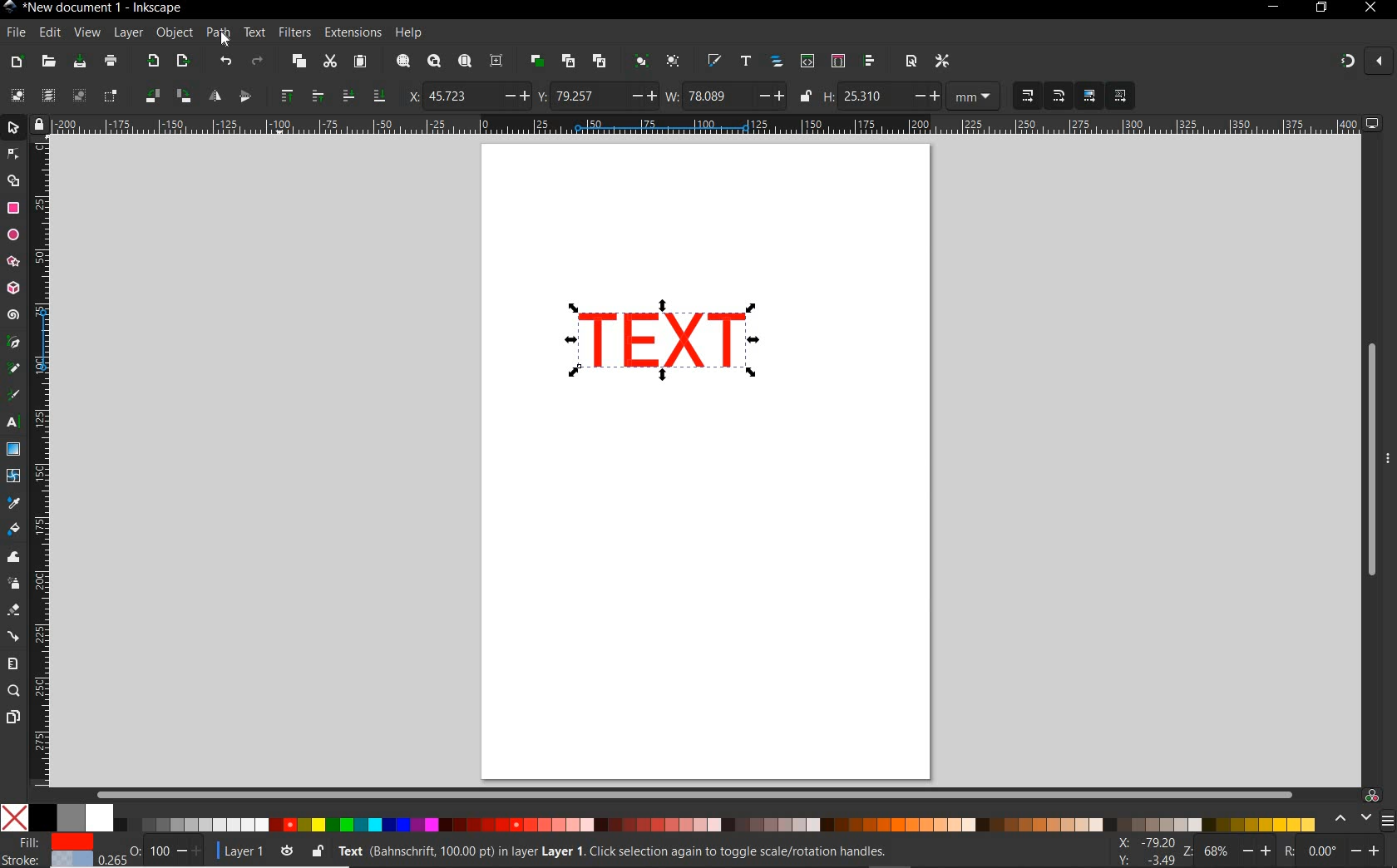  I want to click on PATH, so click(219, 36).